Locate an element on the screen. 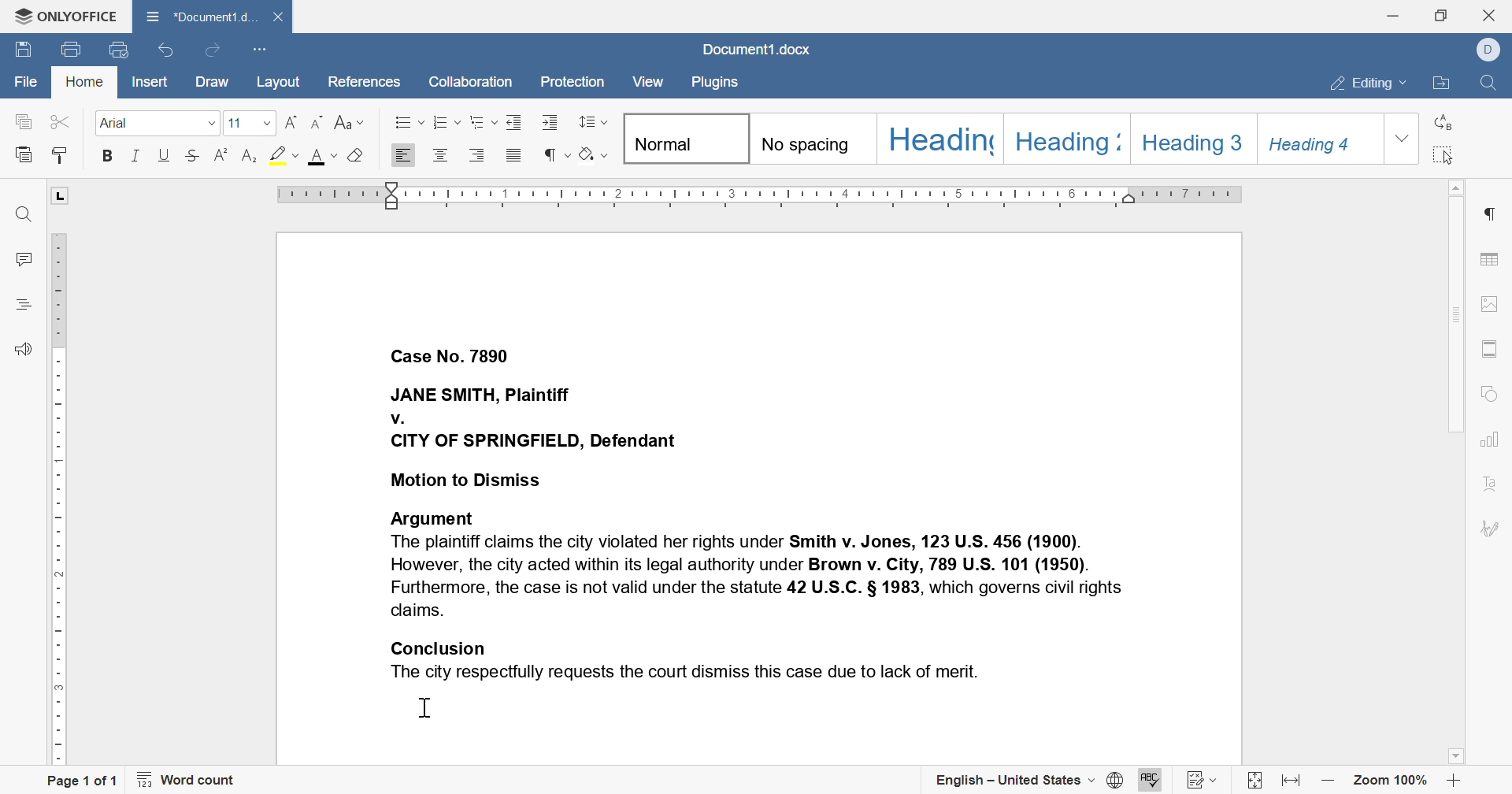  zoom in is located at coordinates (1455, 780).